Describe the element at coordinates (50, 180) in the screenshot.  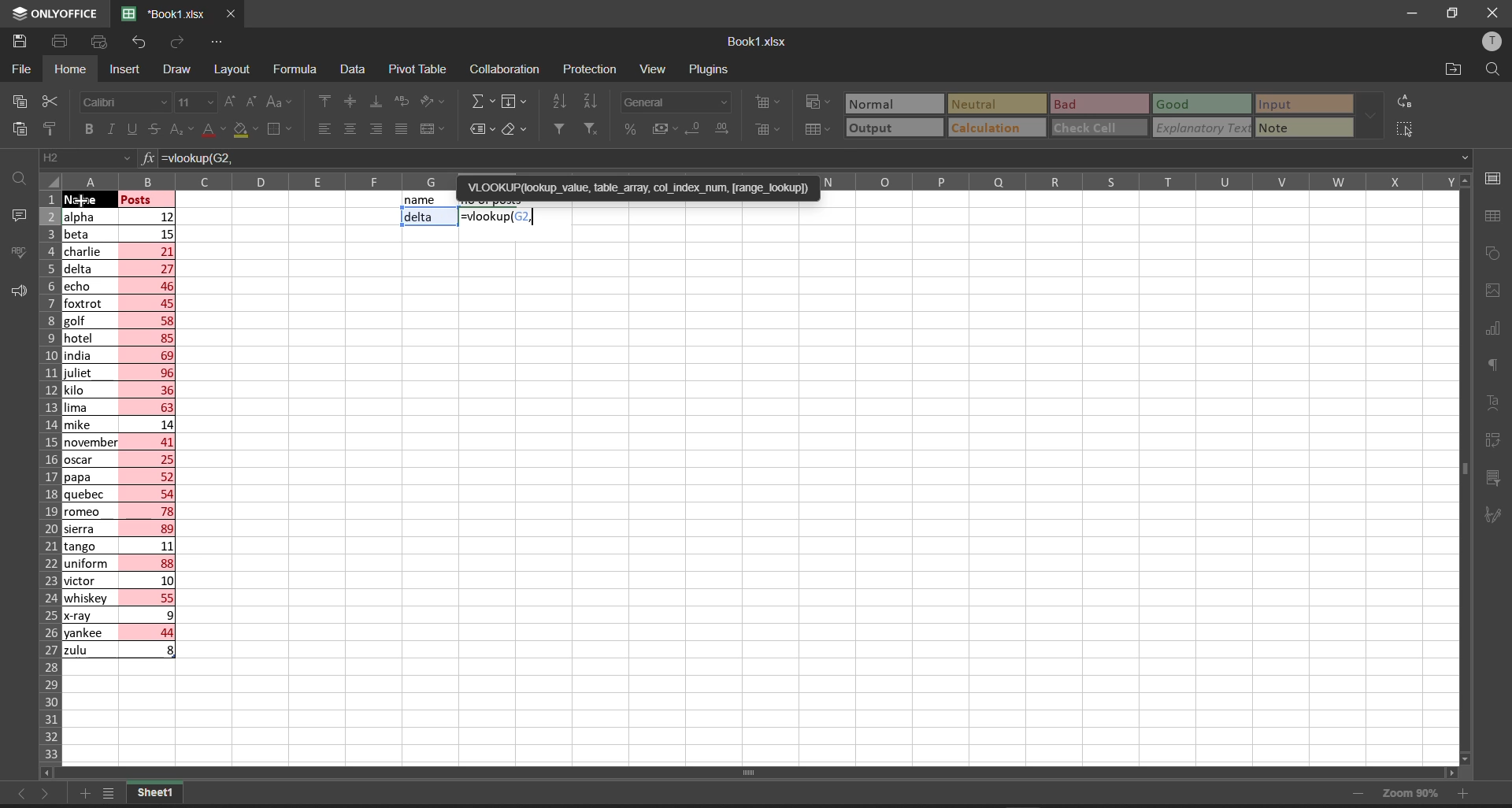
I see `select all` at that location.